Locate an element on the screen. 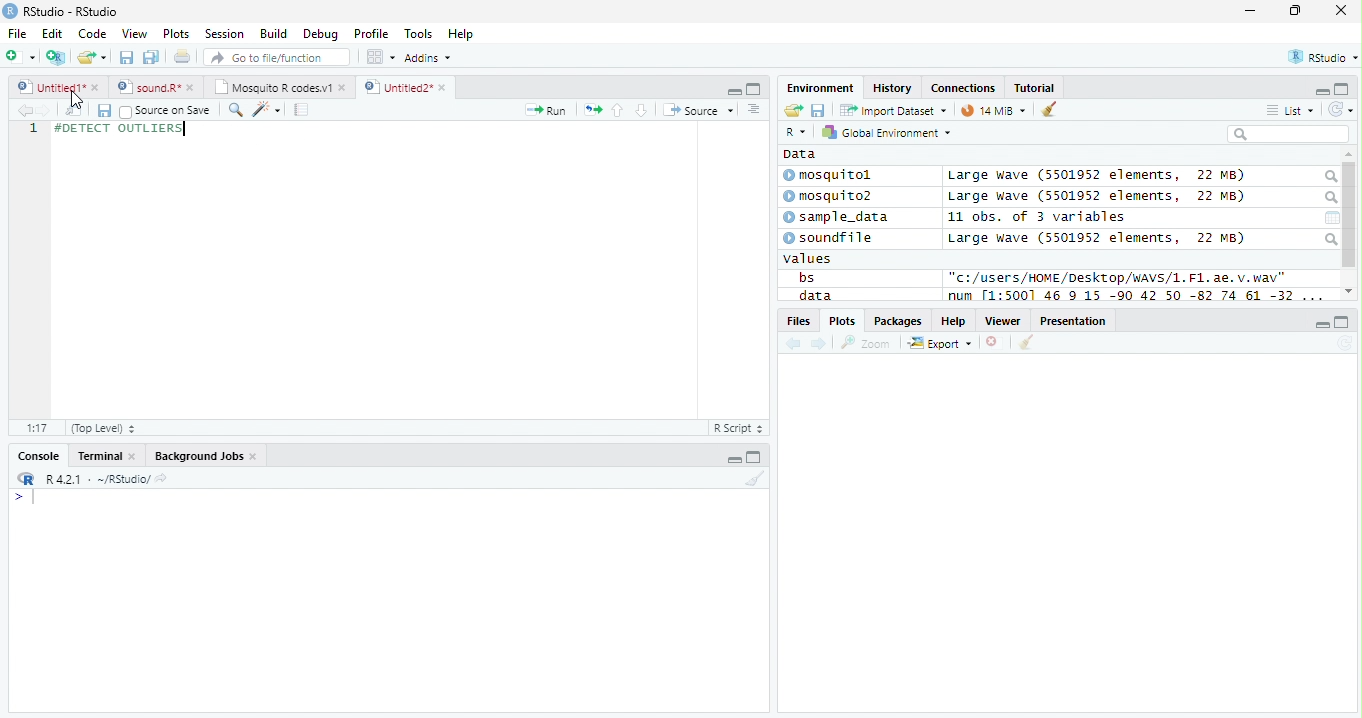 This screenshot has width=1362, height=718. sound.R* is located at coordinates (153, 86).